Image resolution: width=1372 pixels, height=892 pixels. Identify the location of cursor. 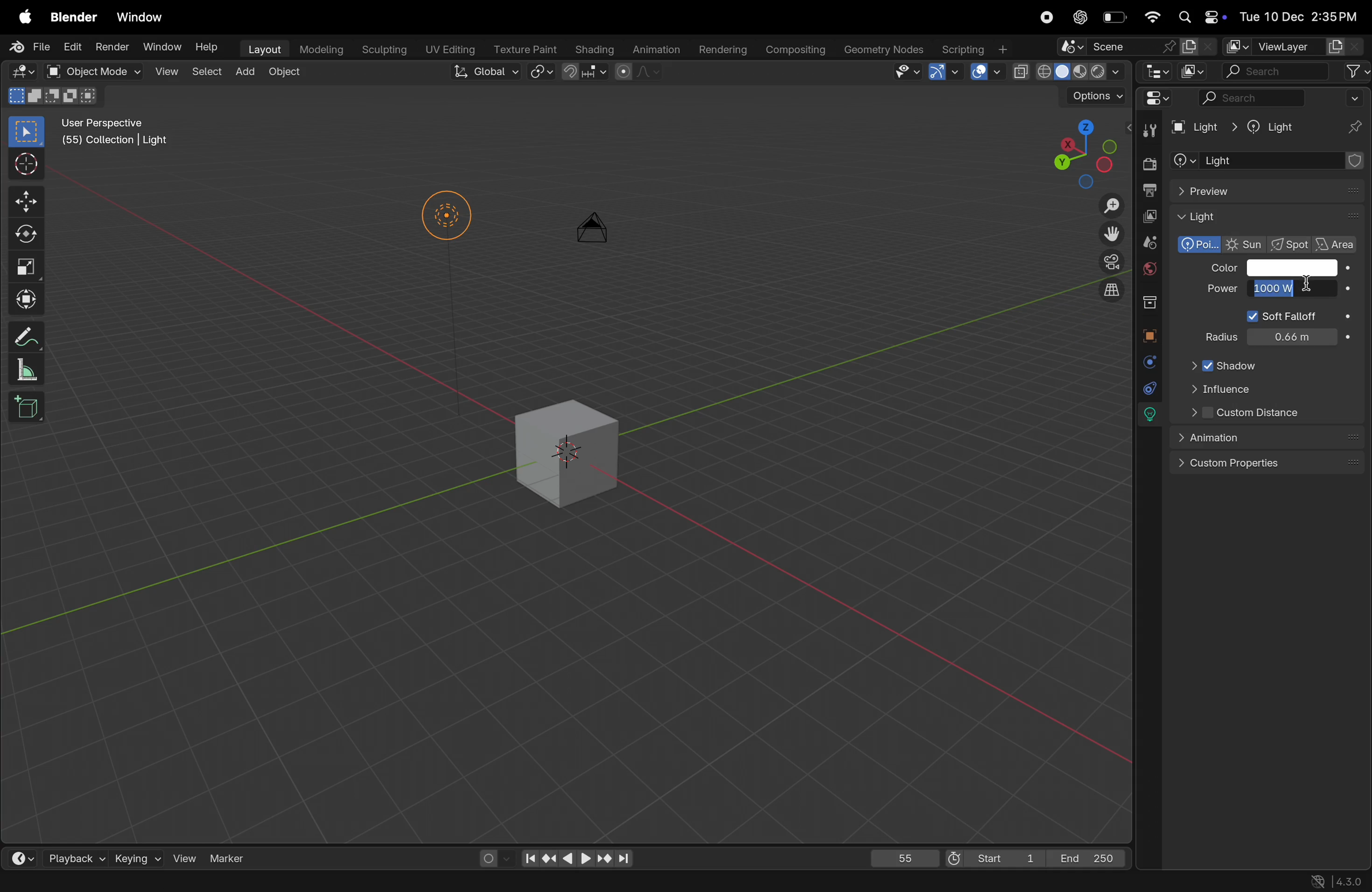
(1296, 288).